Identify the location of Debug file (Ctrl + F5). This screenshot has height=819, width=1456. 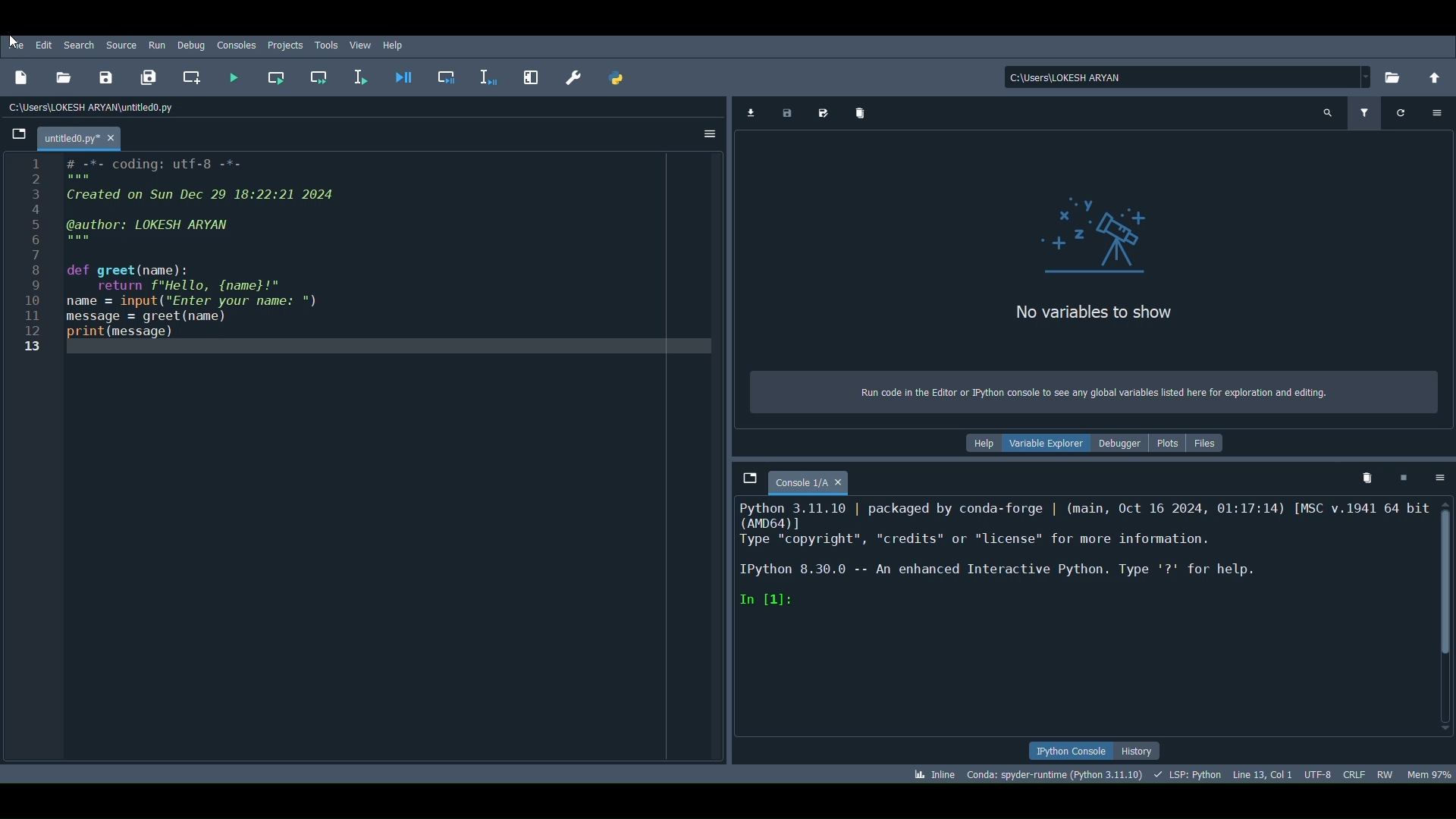
(410, 76).